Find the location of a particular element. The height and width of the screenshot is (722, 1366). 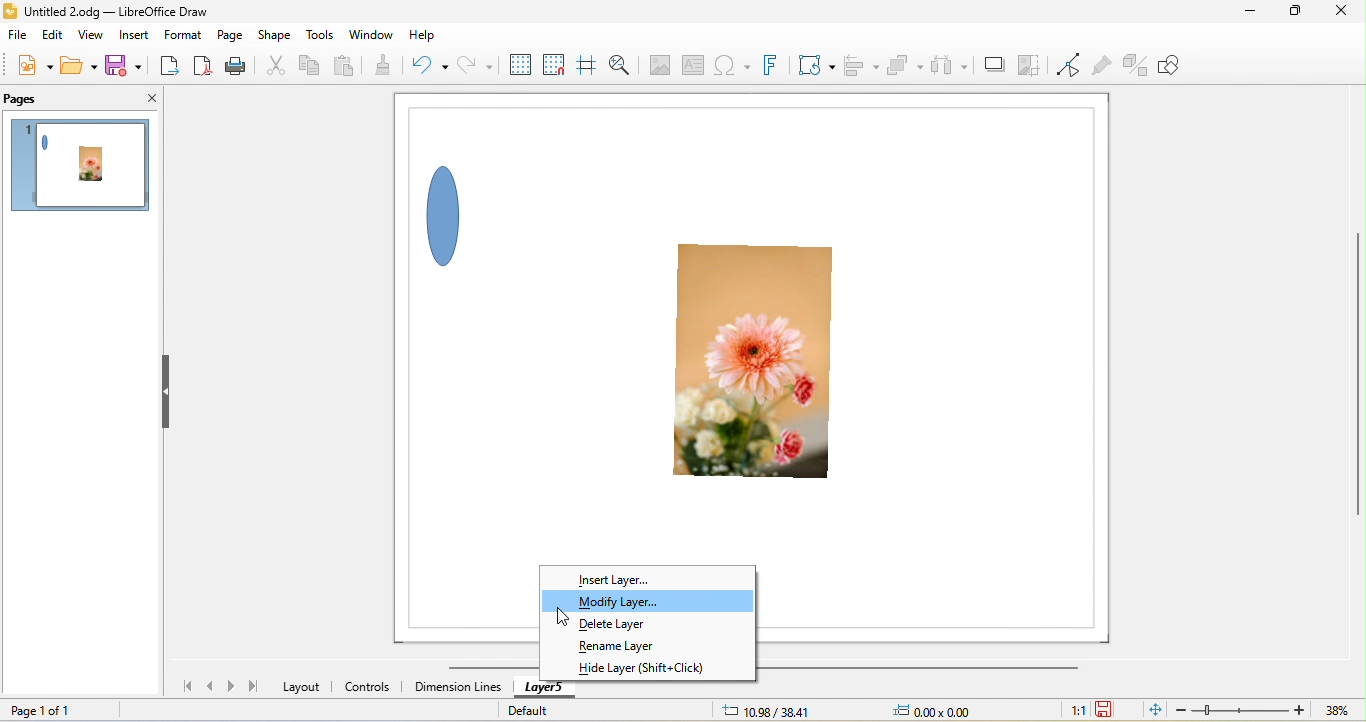

view is located at coordinates (91, 37).